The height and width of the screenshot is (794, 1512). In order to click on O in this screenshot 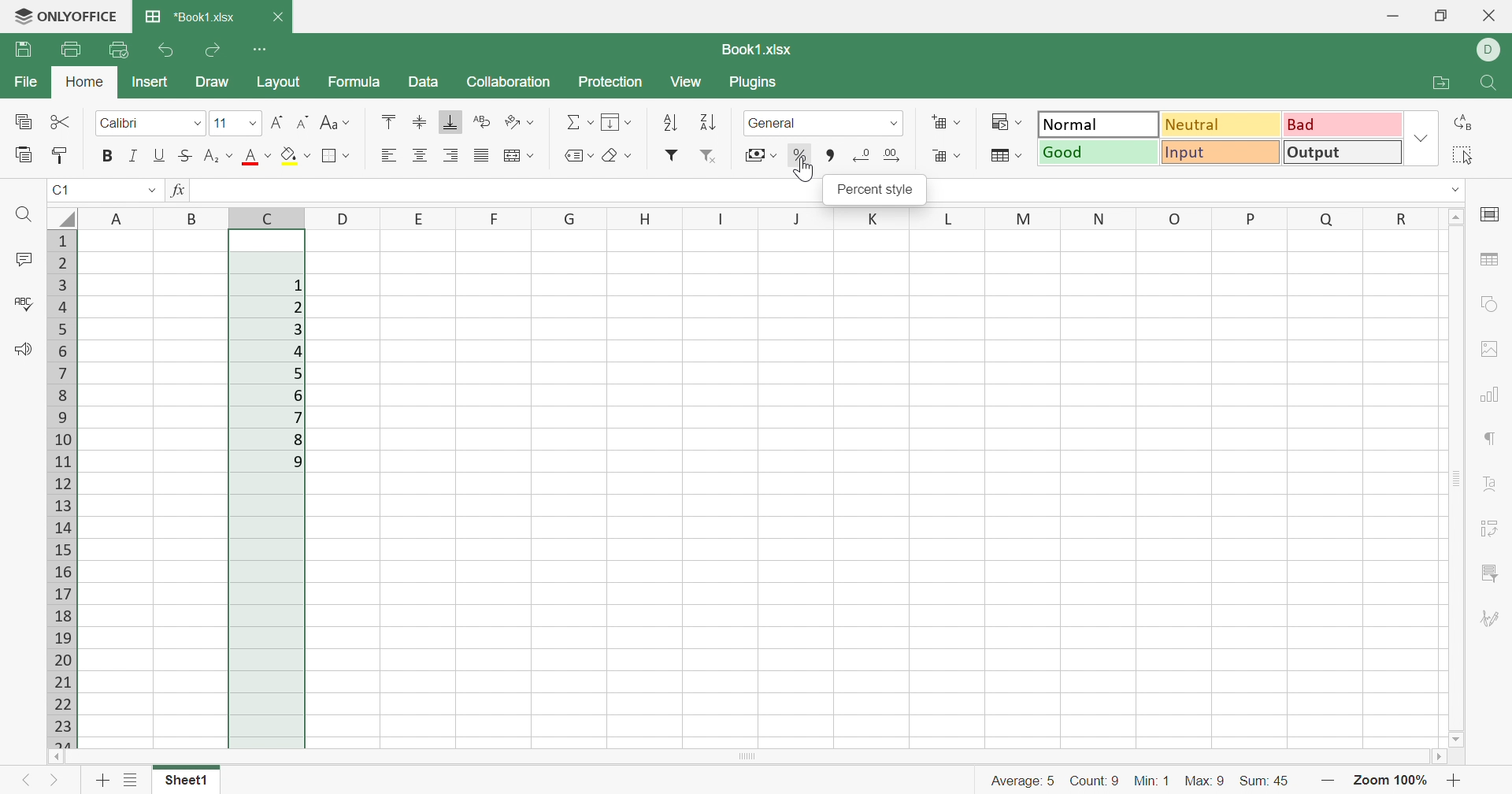, I will do `click(1178, 217)`.